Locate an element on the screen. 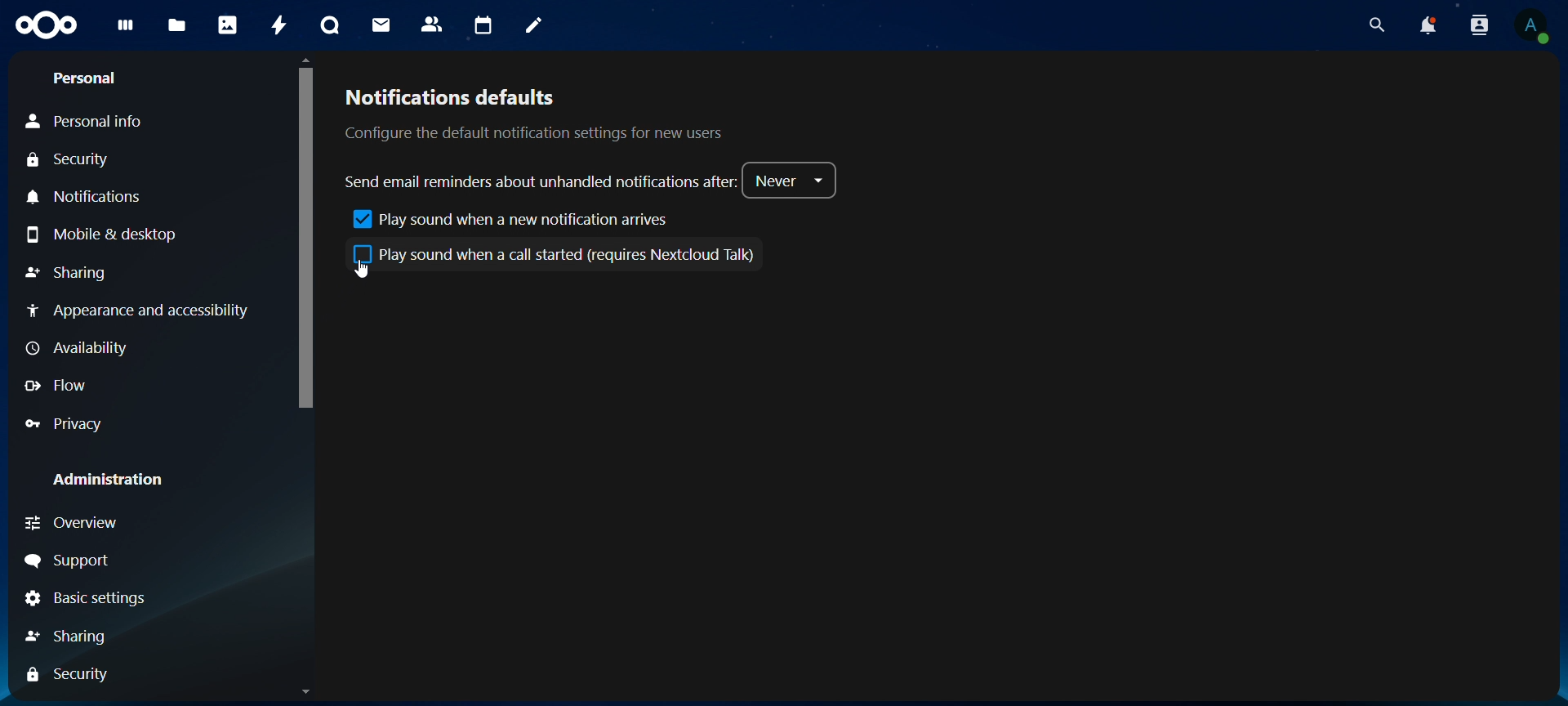 The image size is (1568, 706). notifications defaults is located at coordinates (532, 117).